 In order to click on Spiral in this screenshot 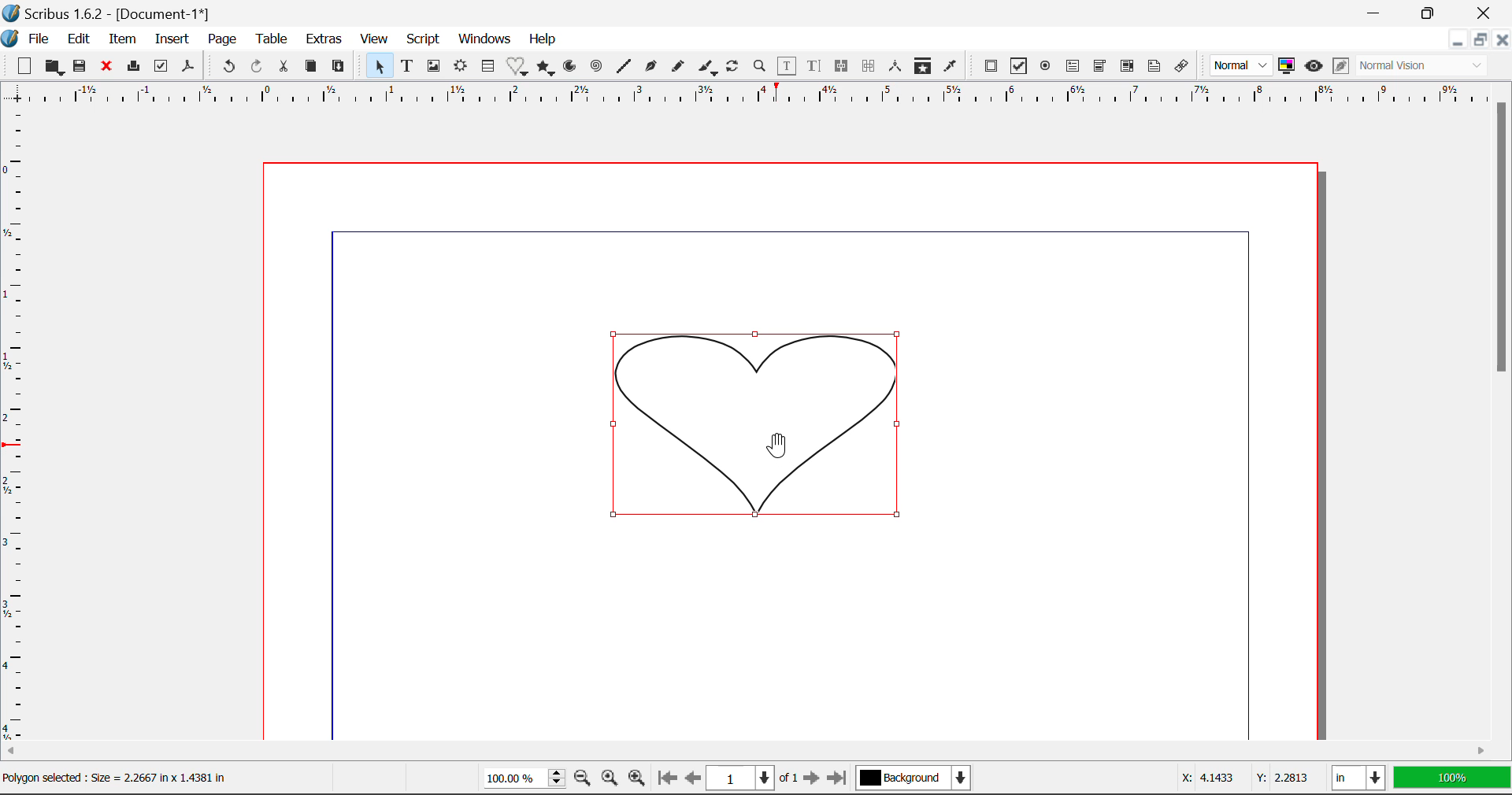, I will do `click(597, 67)`.